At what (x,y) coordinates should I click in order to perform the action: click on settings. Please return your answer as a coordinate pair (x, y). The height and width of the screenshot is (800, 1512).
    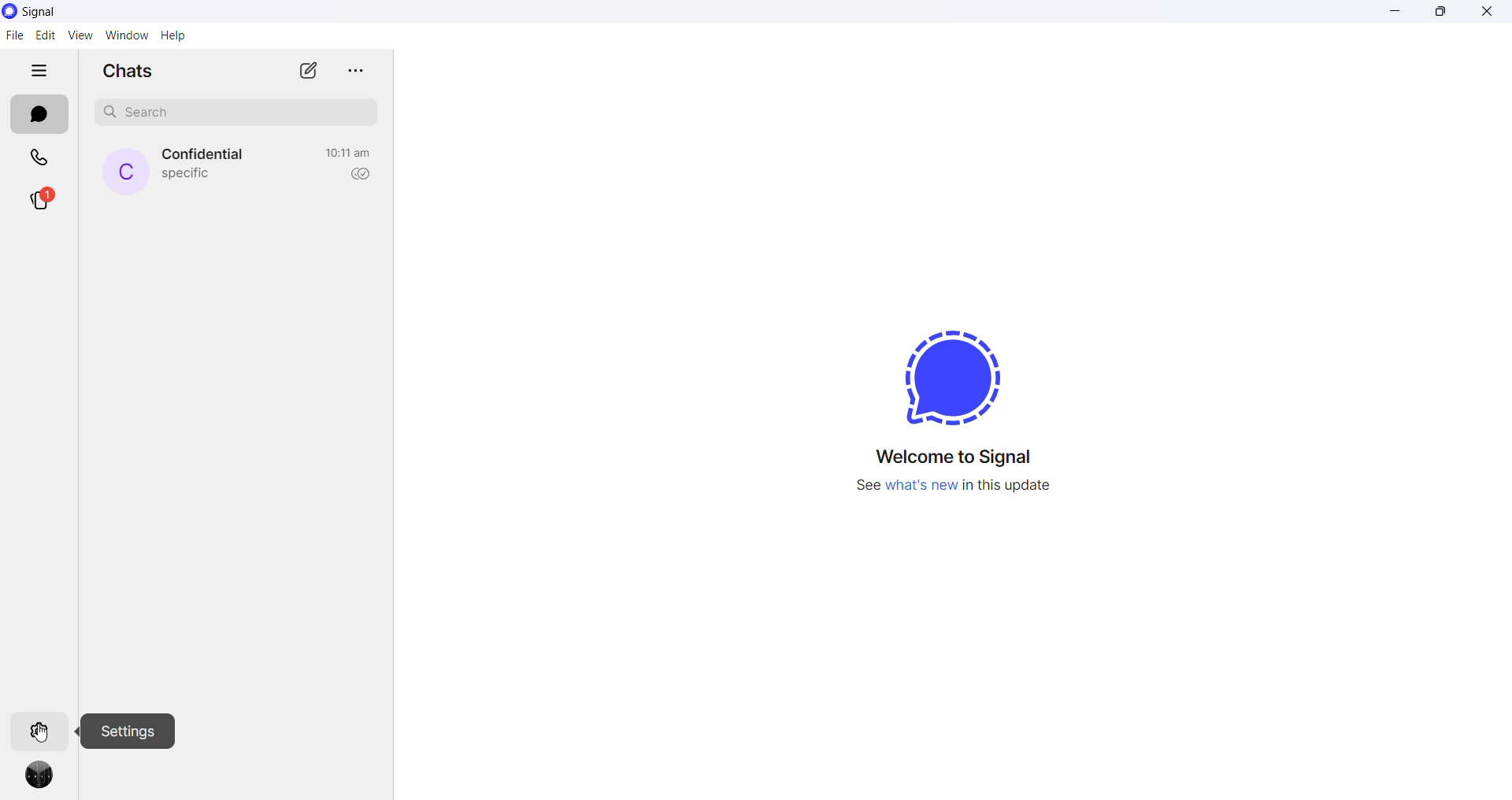
    Looking at the image, I should click on (42, 729).